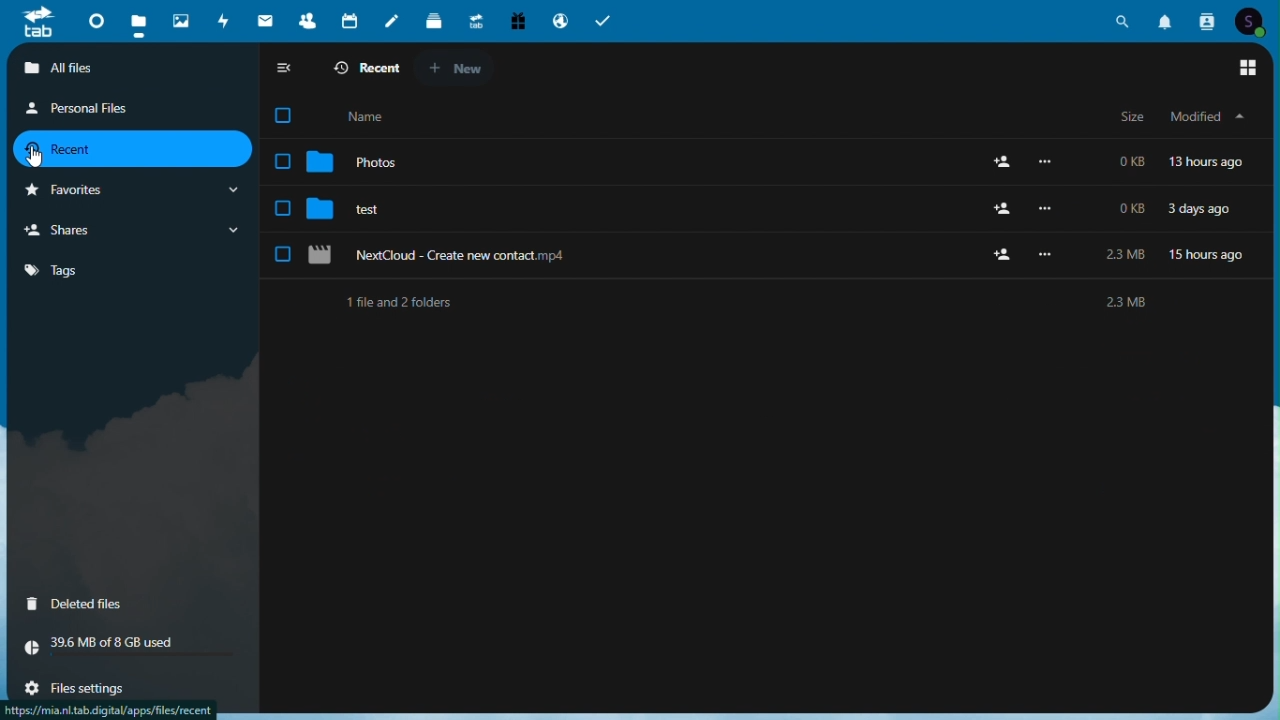 The image size is (1280, 720). What do you see at coordinates (1254, 22) in the screenshot?
I see `account icon` at bounding box center [1254, 22].